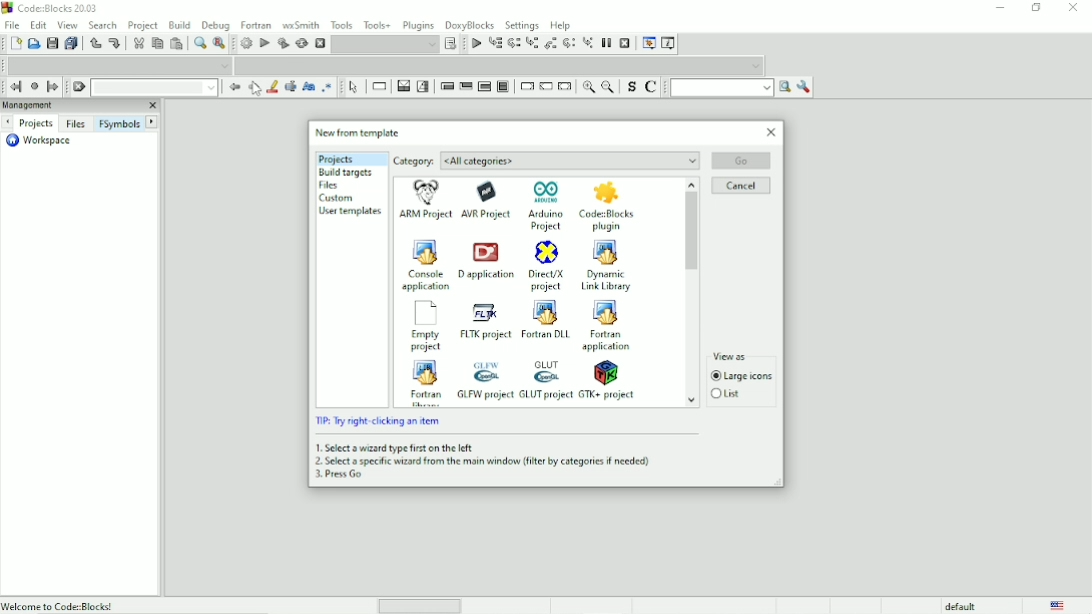 This screenshot has width=1092, height=614. Describe the element at coordinates (425, 264) in the screenshot. I see `Console application` at that location.